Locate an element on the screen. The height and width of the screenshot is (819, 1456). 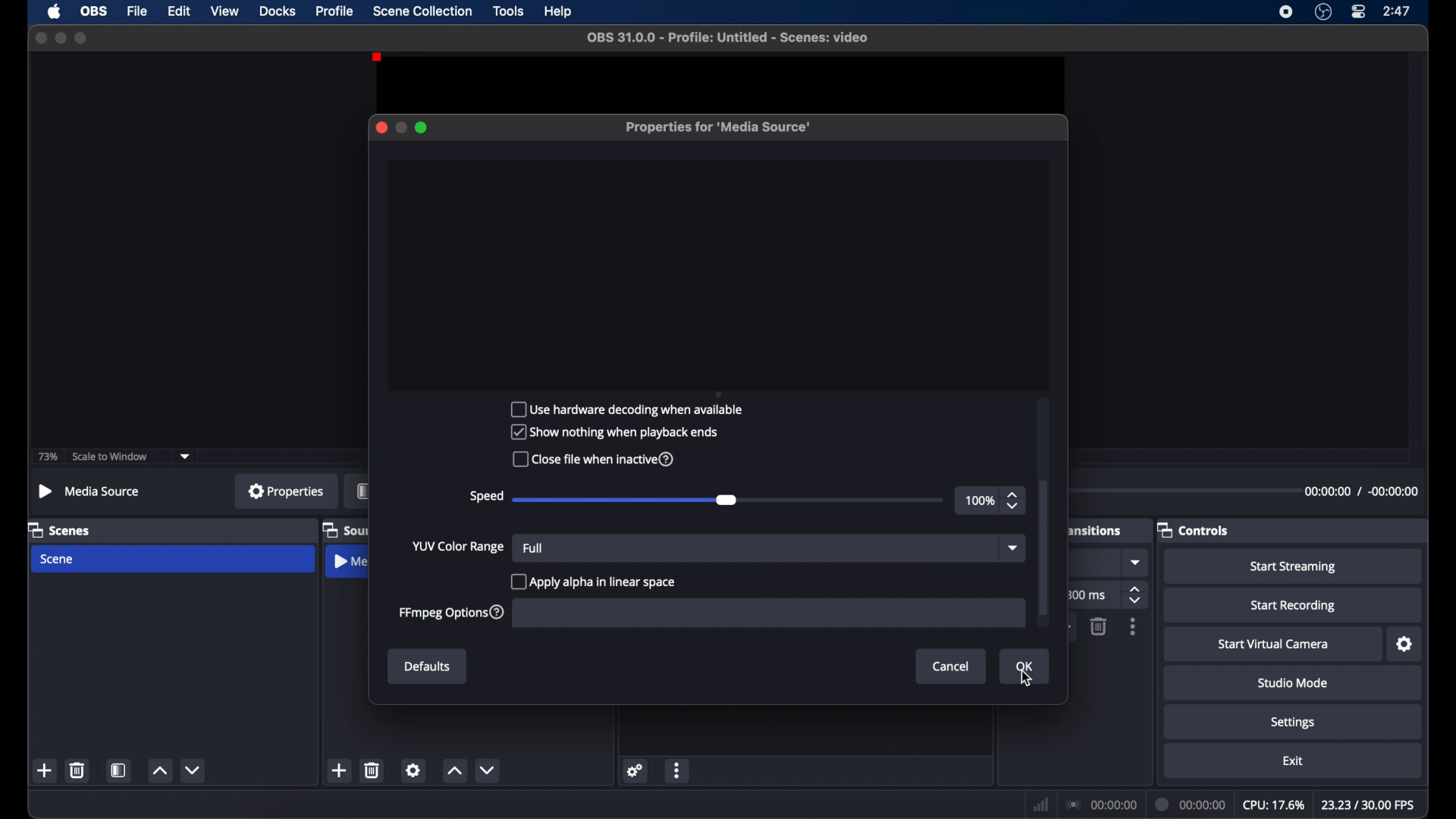
view is located at coordinates (226, 11).